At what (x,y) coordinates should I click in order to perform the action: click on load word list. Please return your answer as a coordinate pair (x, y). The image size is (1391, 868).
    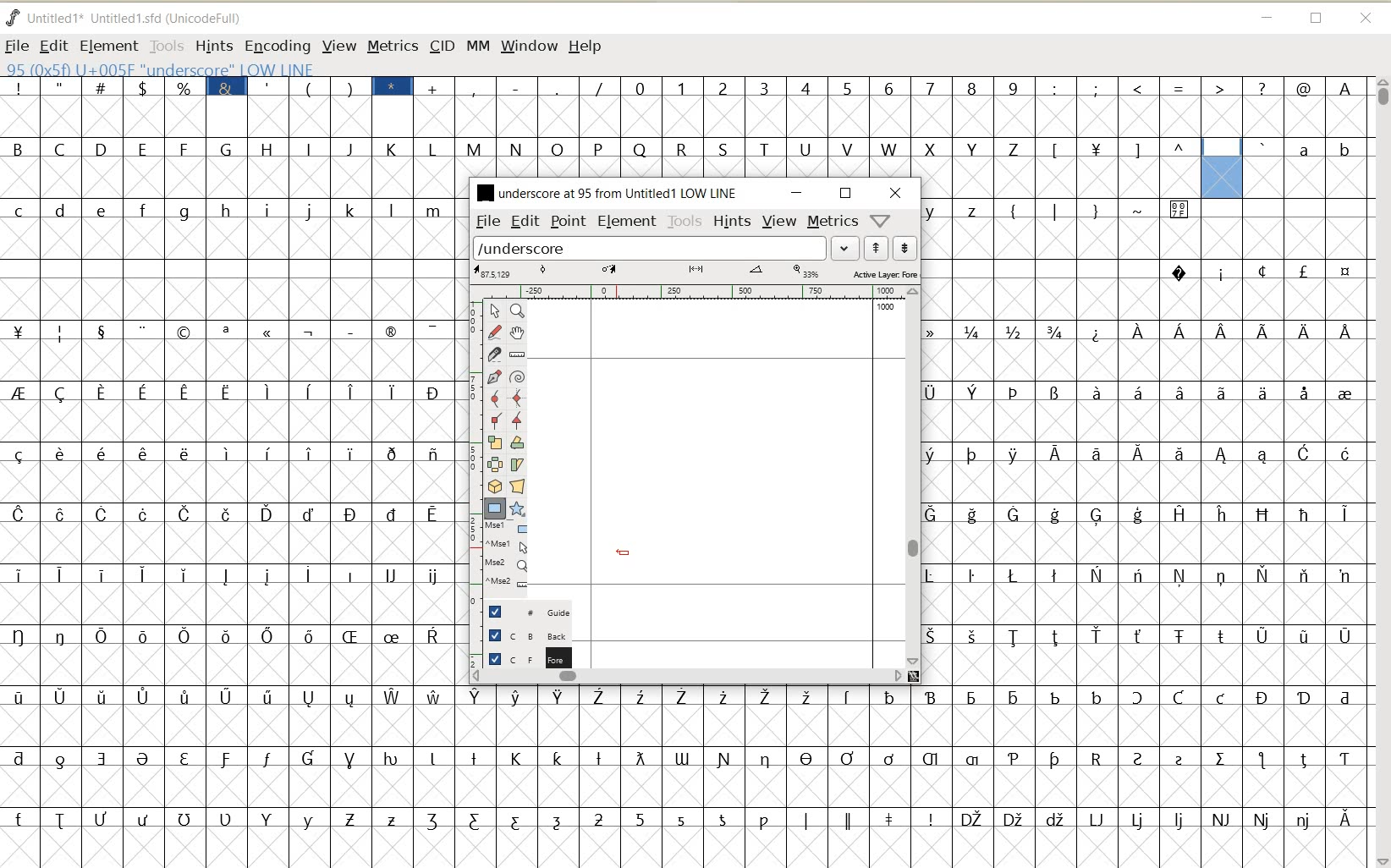
    Looking at the image, I should click on (650, 247).